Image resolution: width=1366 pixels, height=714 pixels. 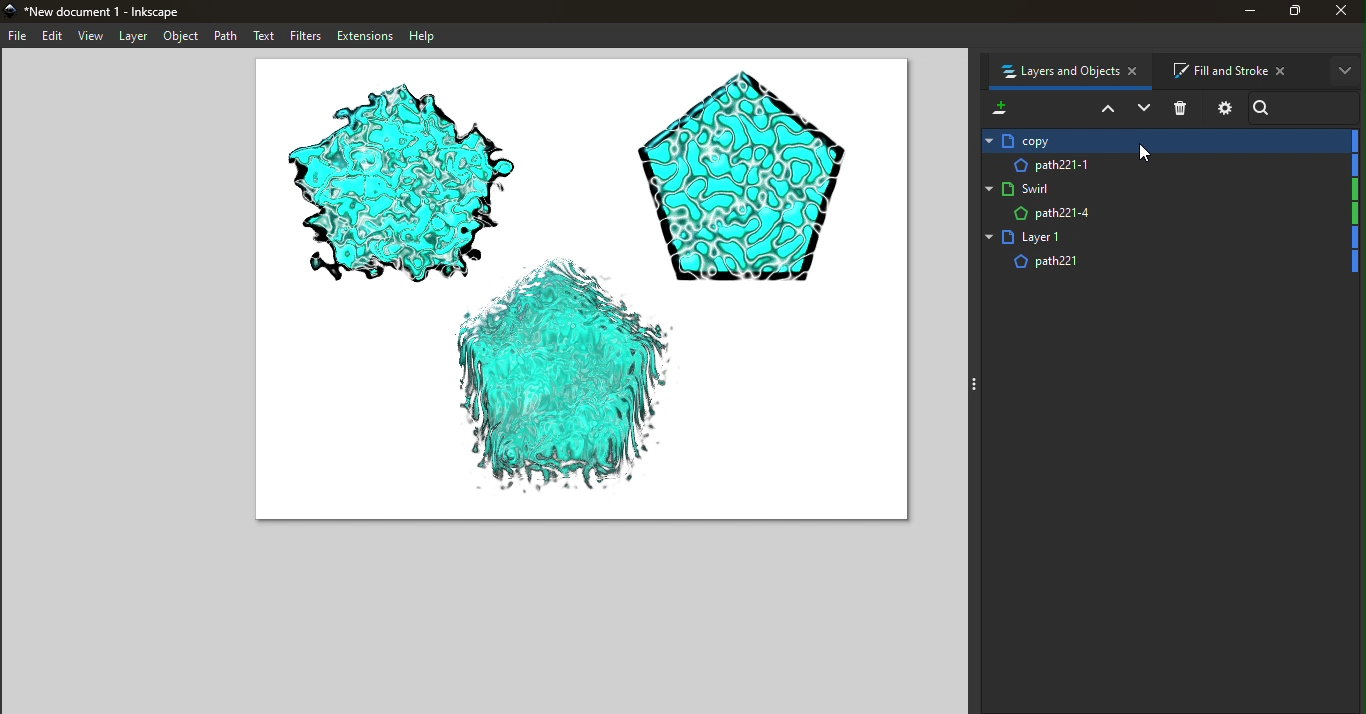 What do you see at coordinates (1145, 109) in the screenshot?
I see `Lower selection one step` at bounding box center [1145, 109].